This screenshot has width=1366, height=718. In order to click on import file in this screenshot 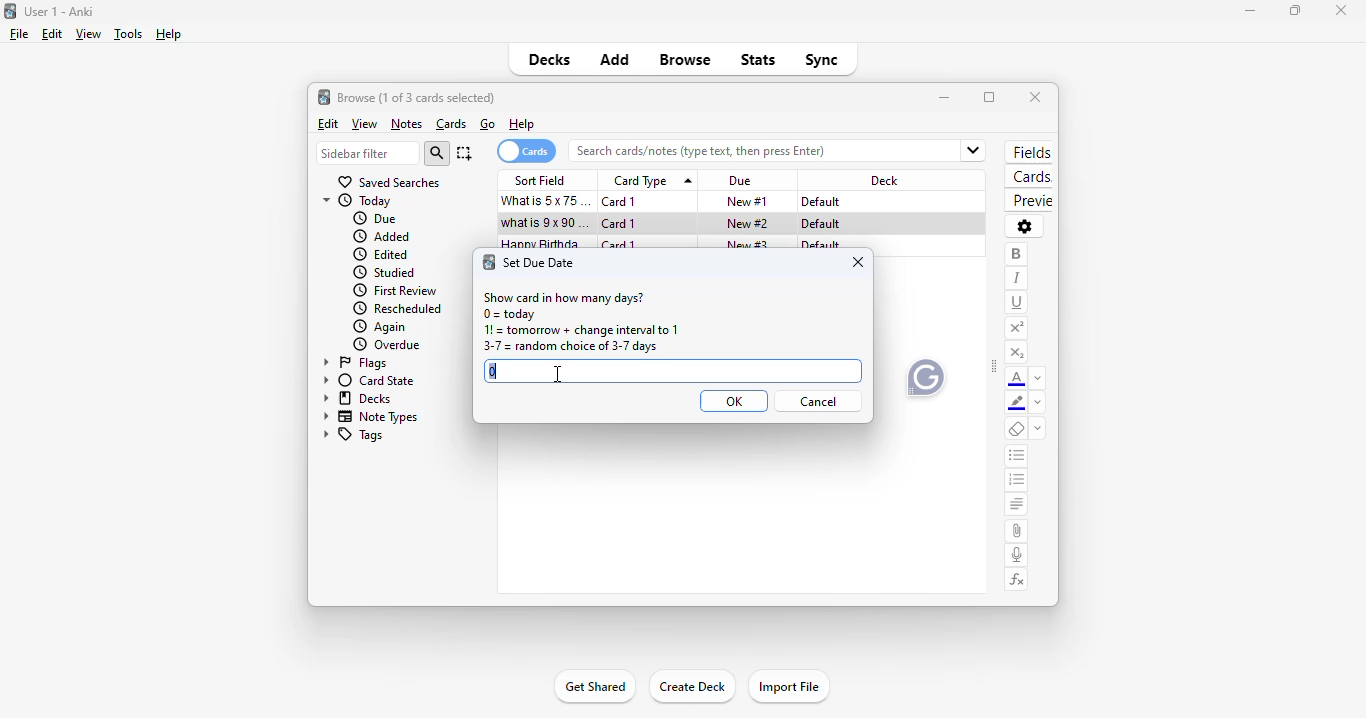, I will do `click(790, 686)`.